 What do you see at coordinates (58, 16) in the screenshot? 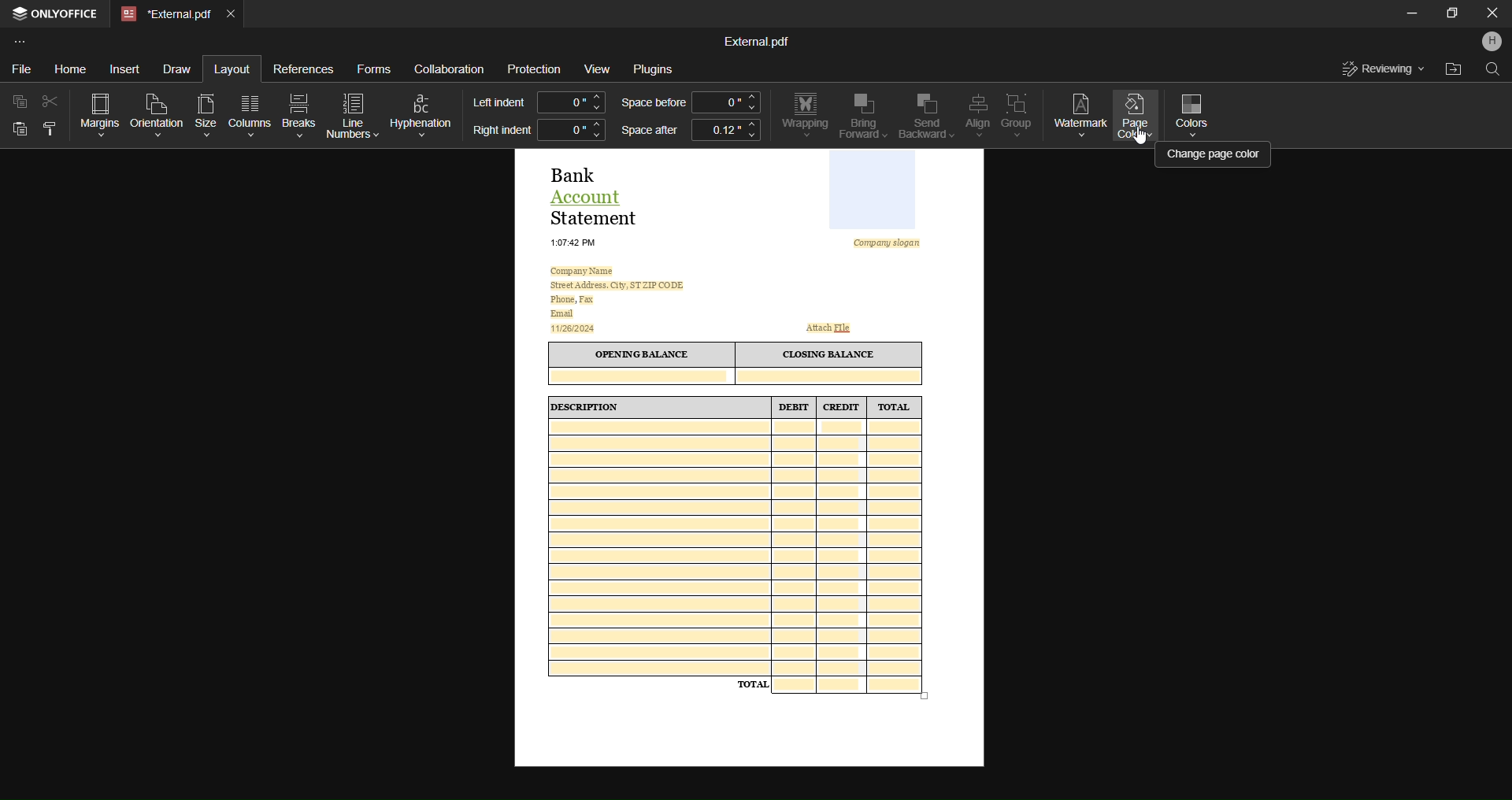
I see `OnlyOffice Application Tab` at bounding box center [58, 16].